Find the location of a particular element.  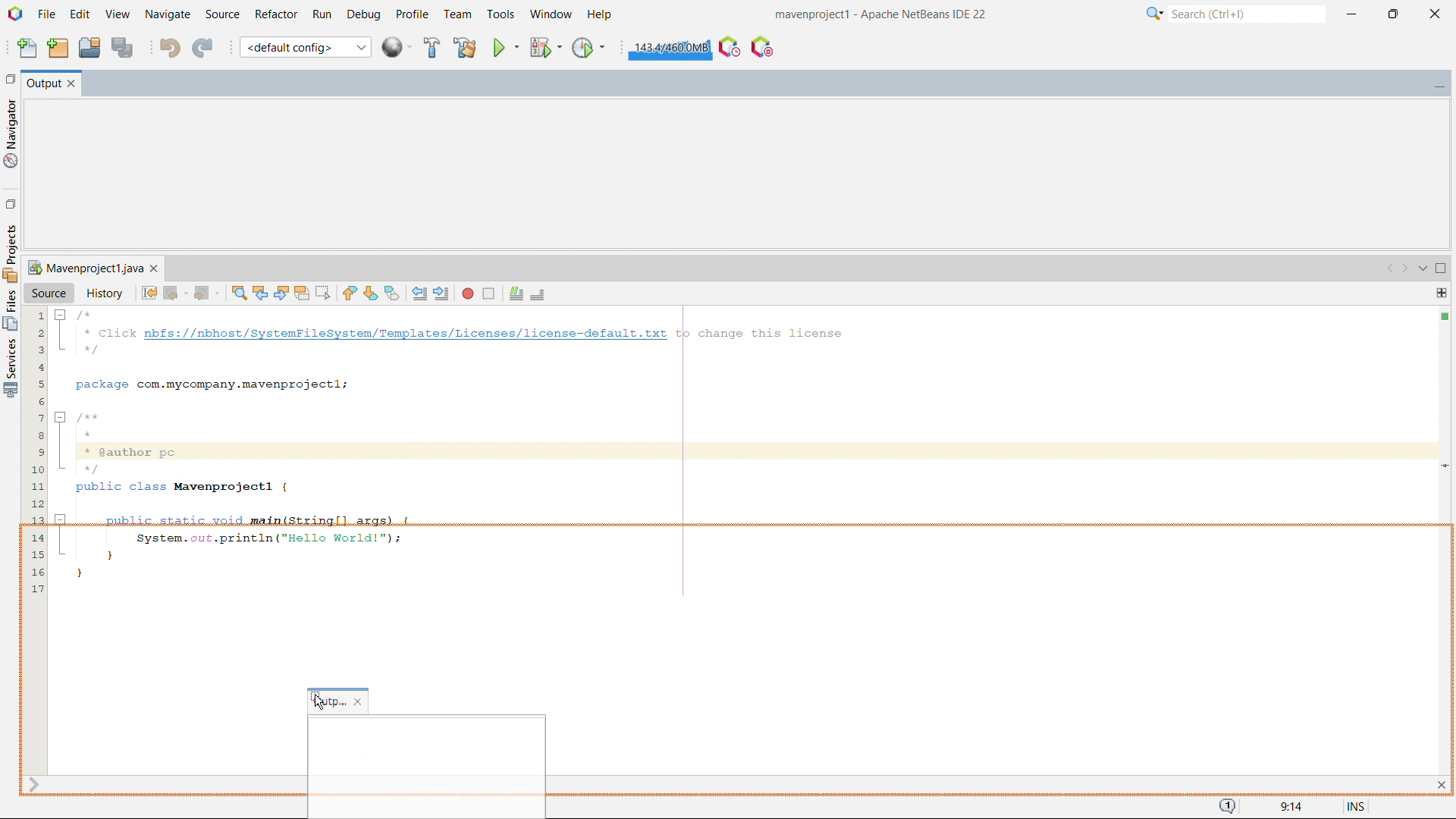

output window is located at coordinates (42, 85).